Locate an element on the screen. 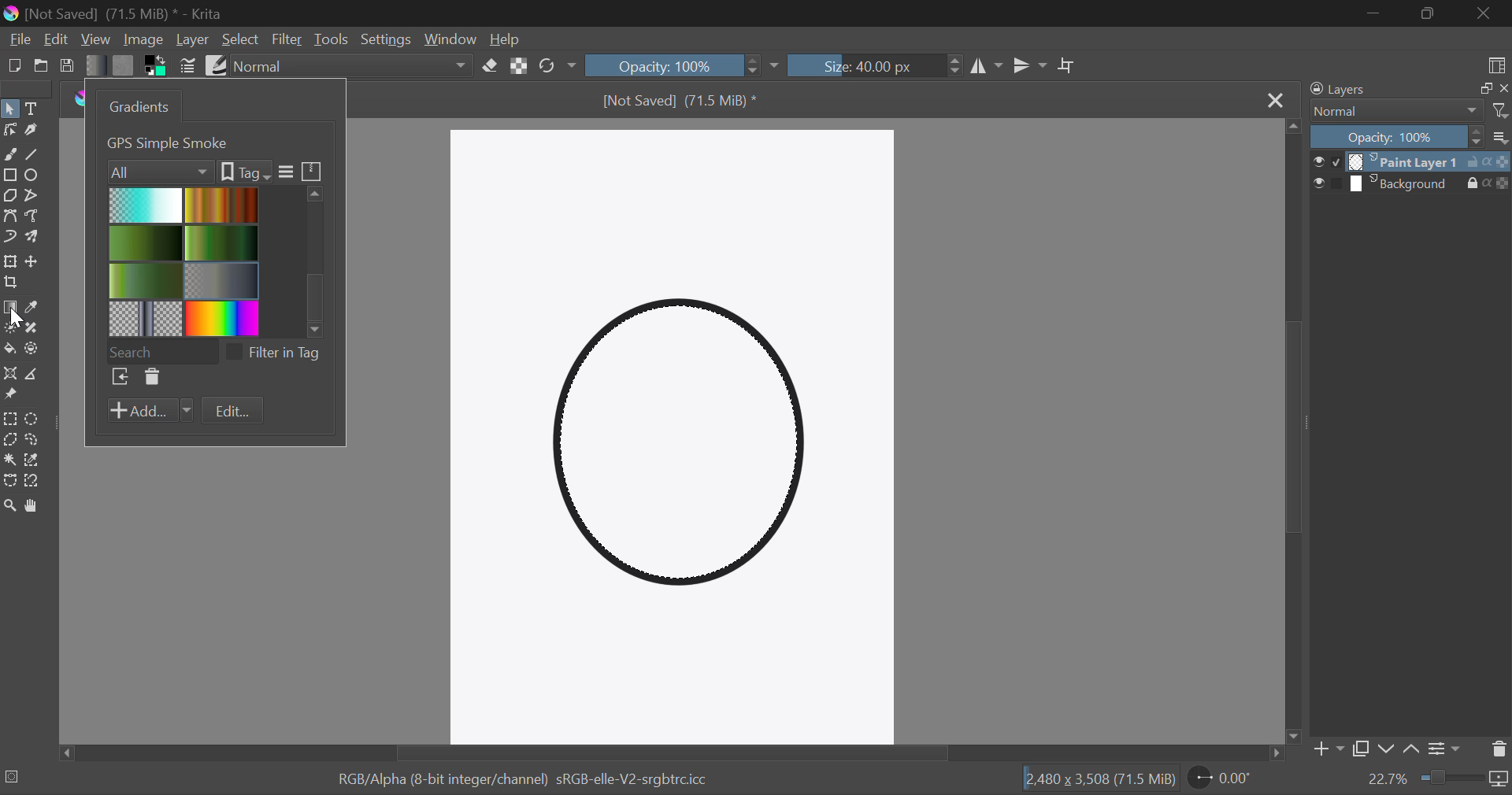 Image resolution: width=1512 pixels, height=795 pixels. Rectangle is located at coordinates (11, 177).